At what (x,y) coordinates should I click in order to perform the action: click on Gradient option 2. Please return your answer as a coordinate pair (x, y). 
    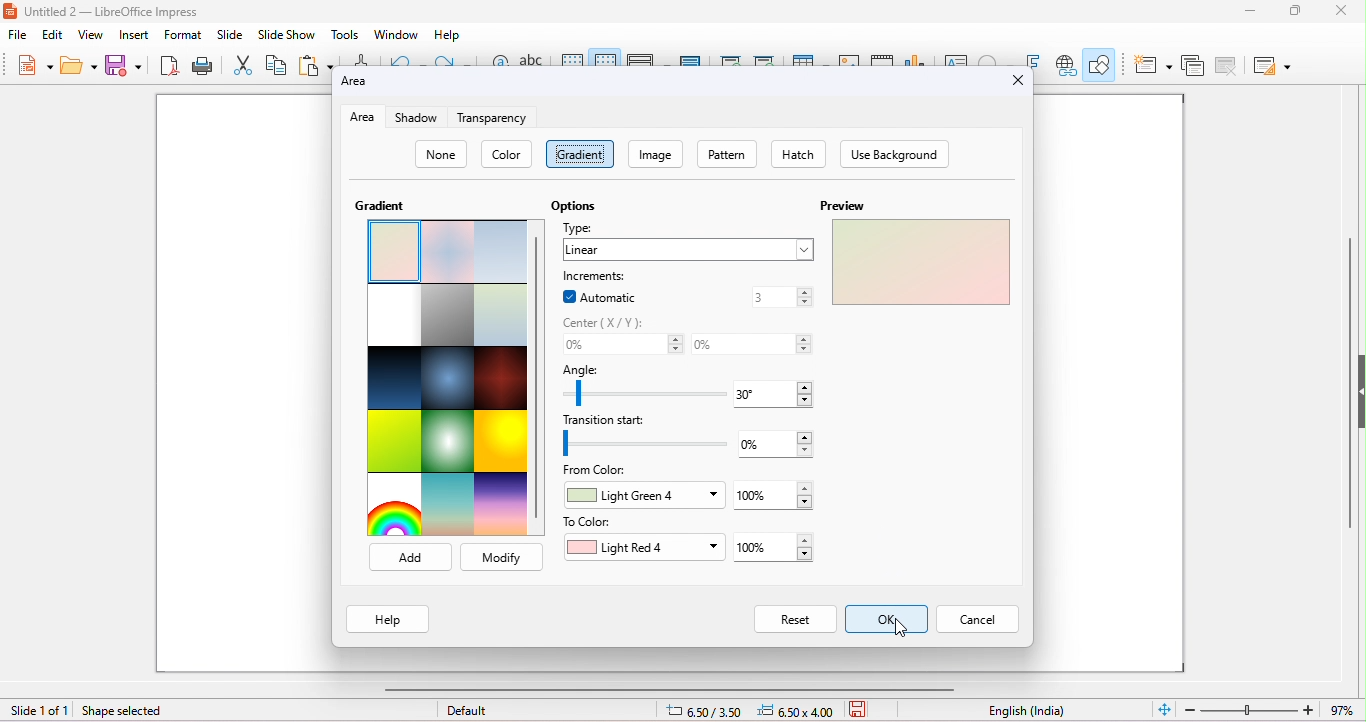
    Looking at the image, I should click on (450, 252).